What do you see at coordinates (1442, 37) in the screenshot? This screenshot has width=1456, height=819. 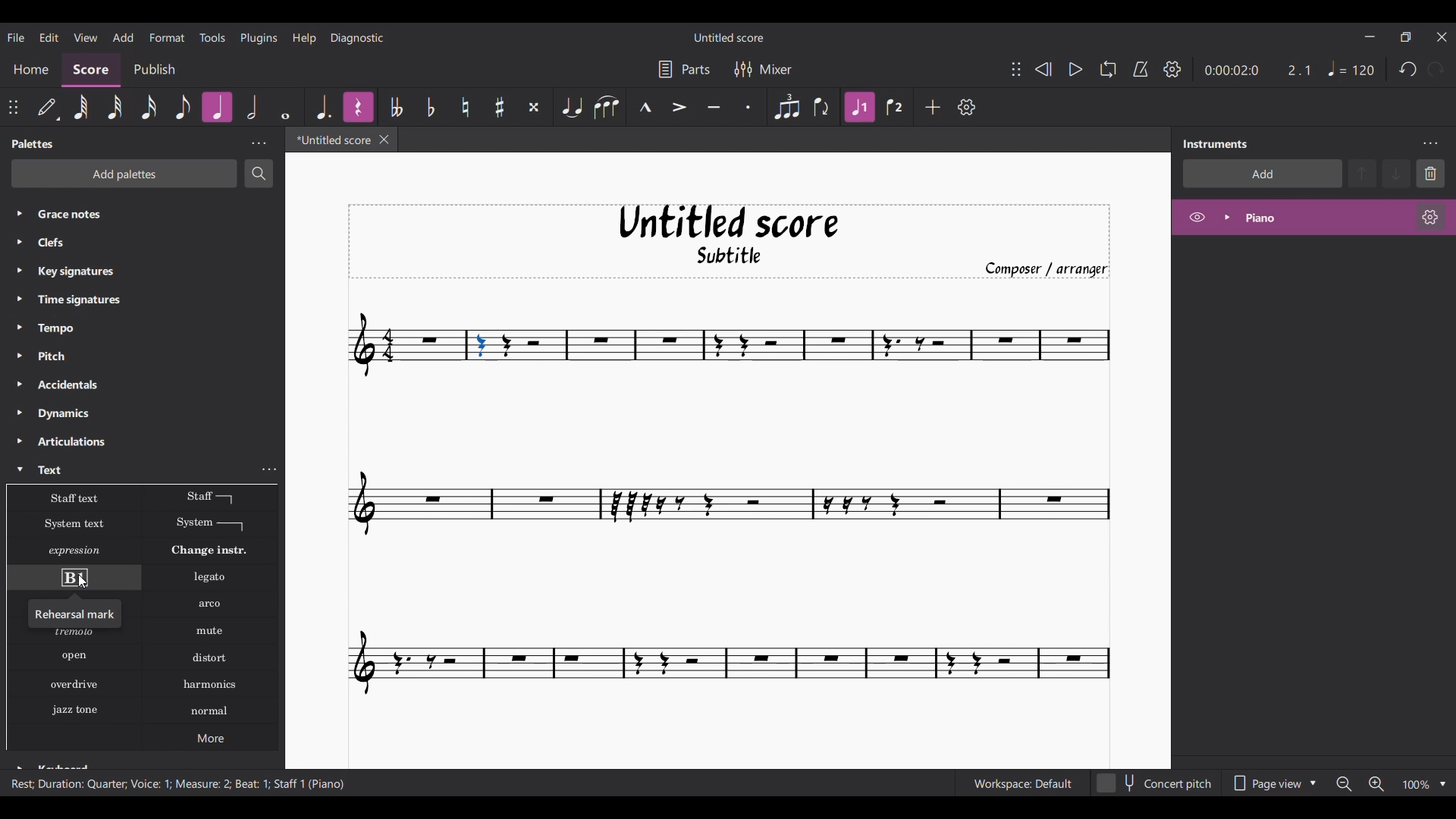 I see `Close interface` at bounding box center [1442, 37].